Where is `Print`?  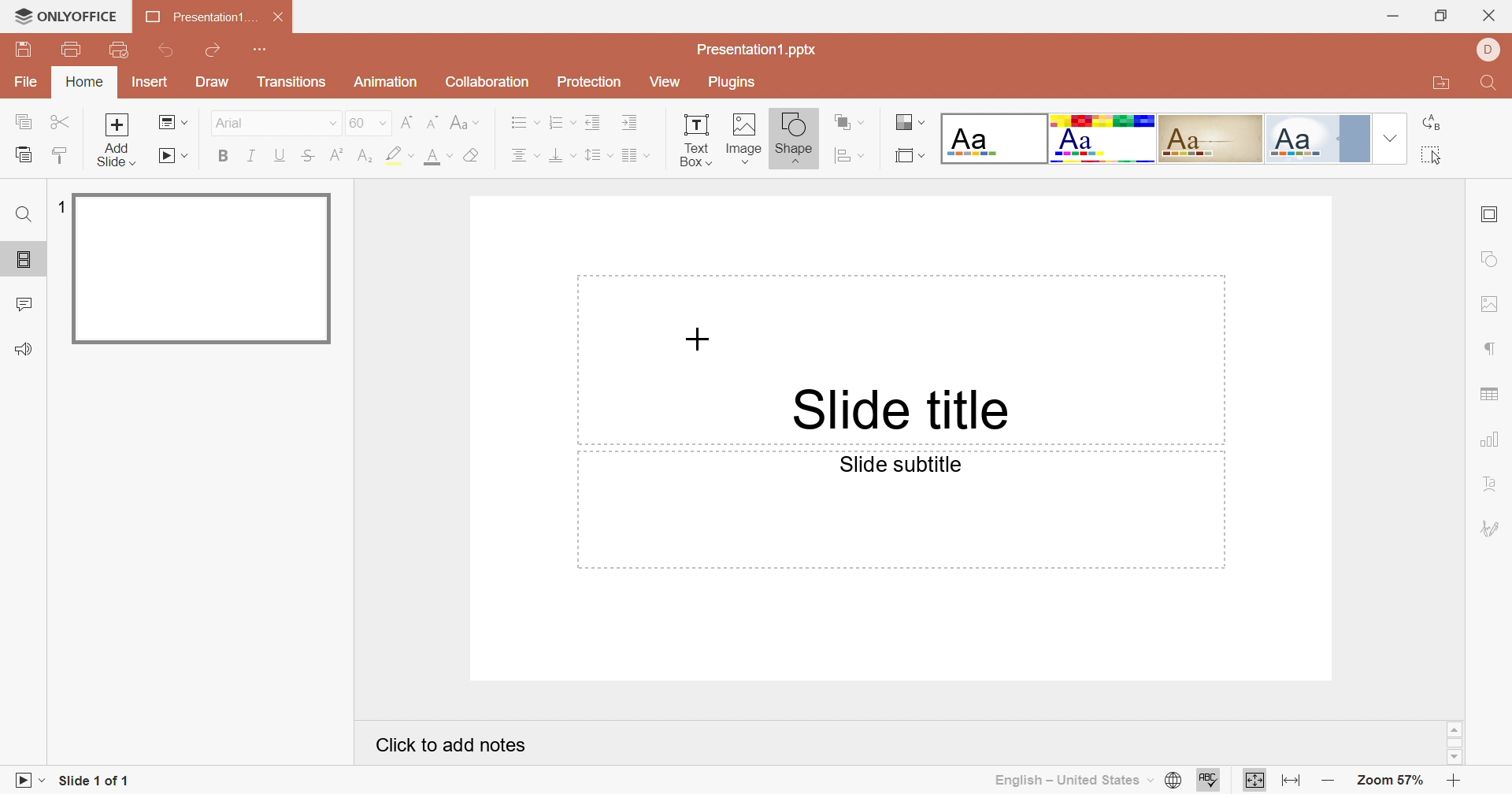 Print is located at coordinates (72, 50).